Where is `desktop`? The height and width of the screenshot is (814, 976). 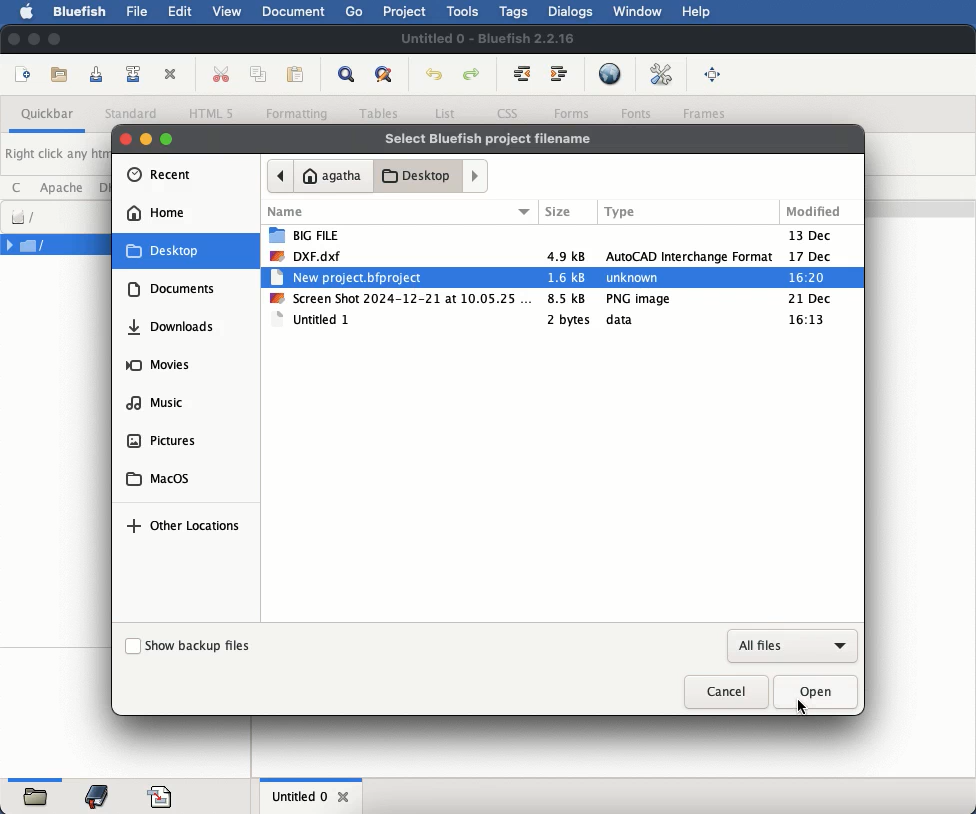
desktop is located at coordinates (162, 247).